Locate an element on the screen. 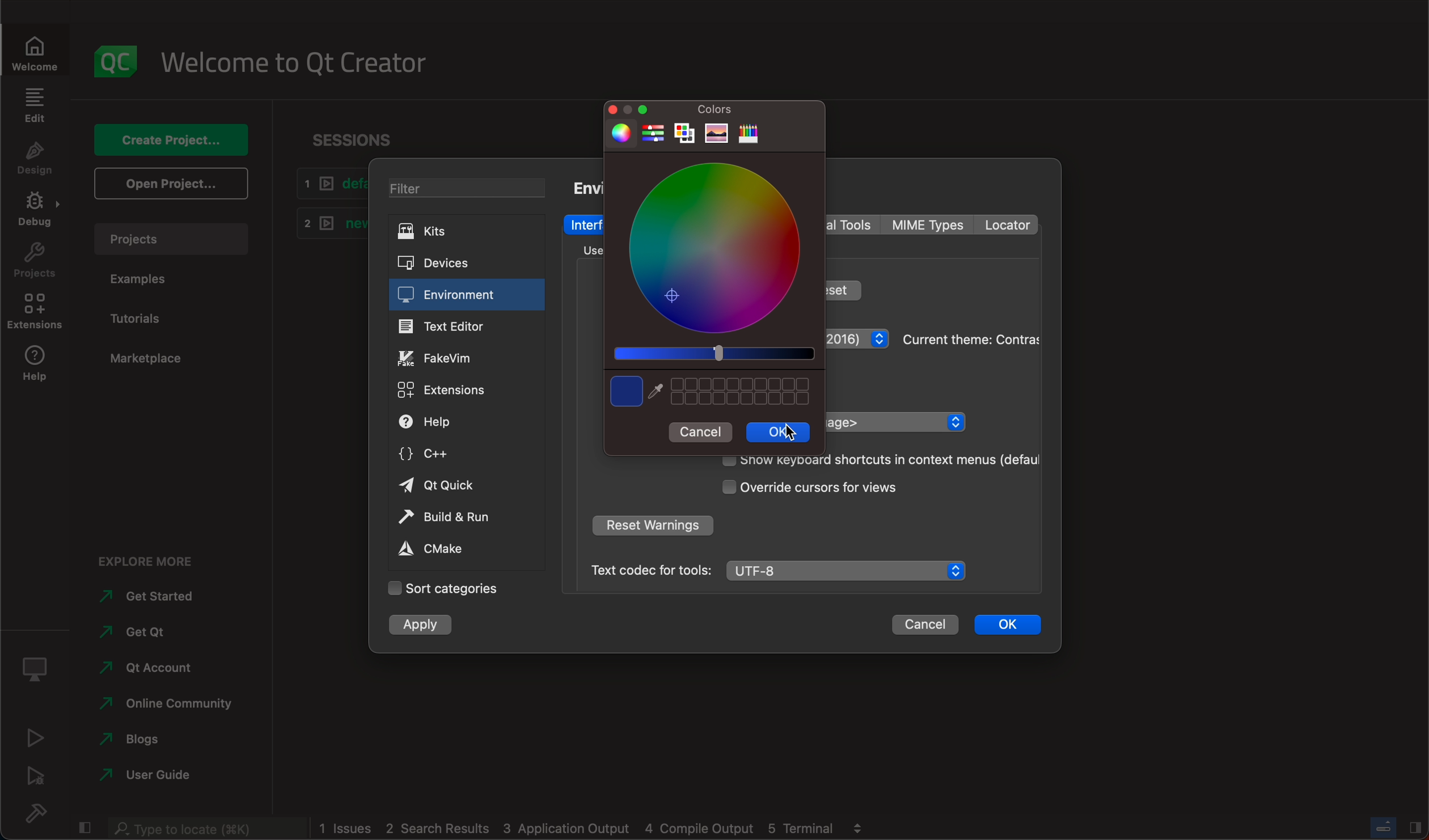 Image resolution: width=1429 pixels, height=840 pixels. external tools is located at coordinates (852, 224).